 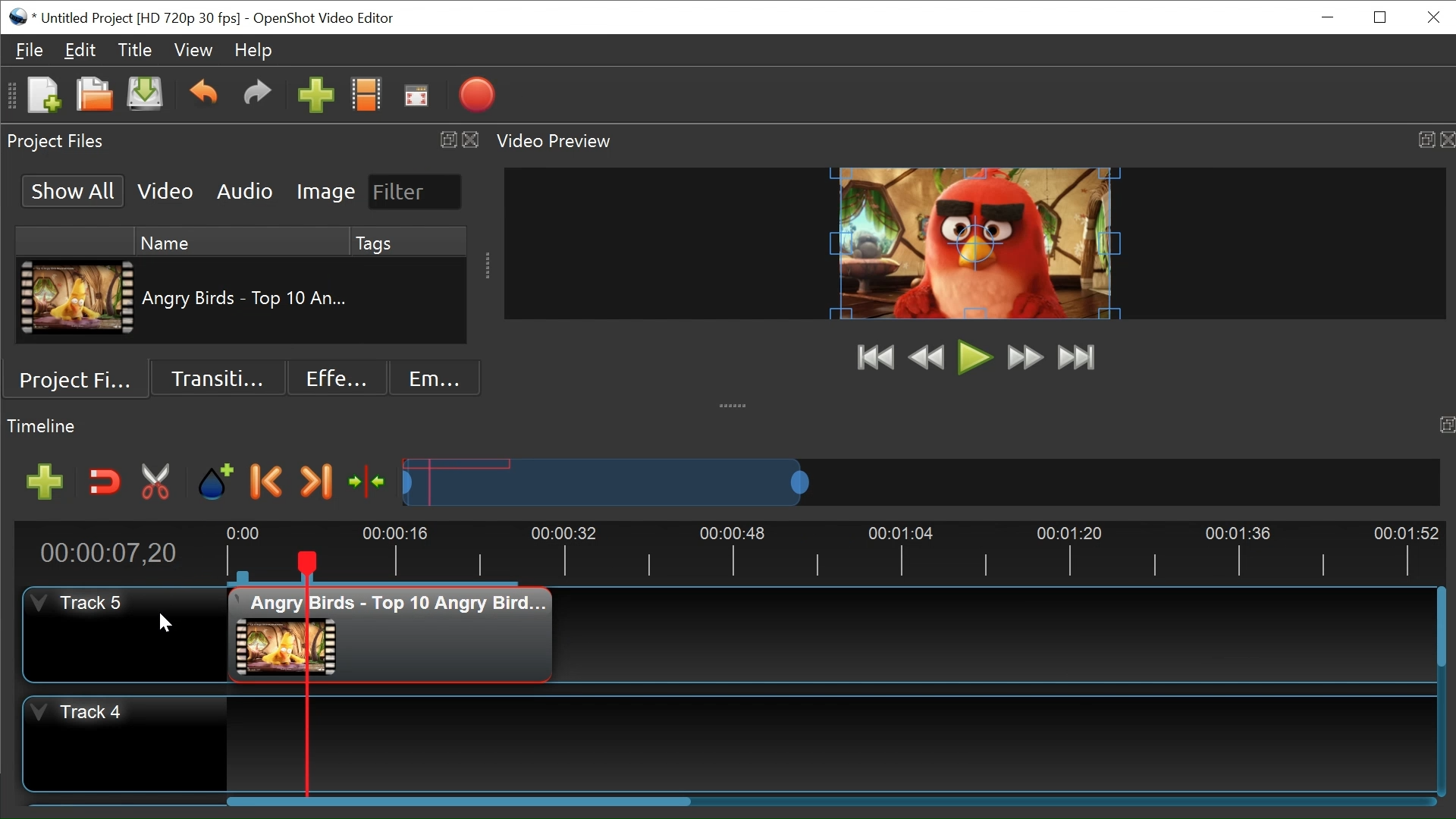 I want to click on View, so click(x=193, y=52).